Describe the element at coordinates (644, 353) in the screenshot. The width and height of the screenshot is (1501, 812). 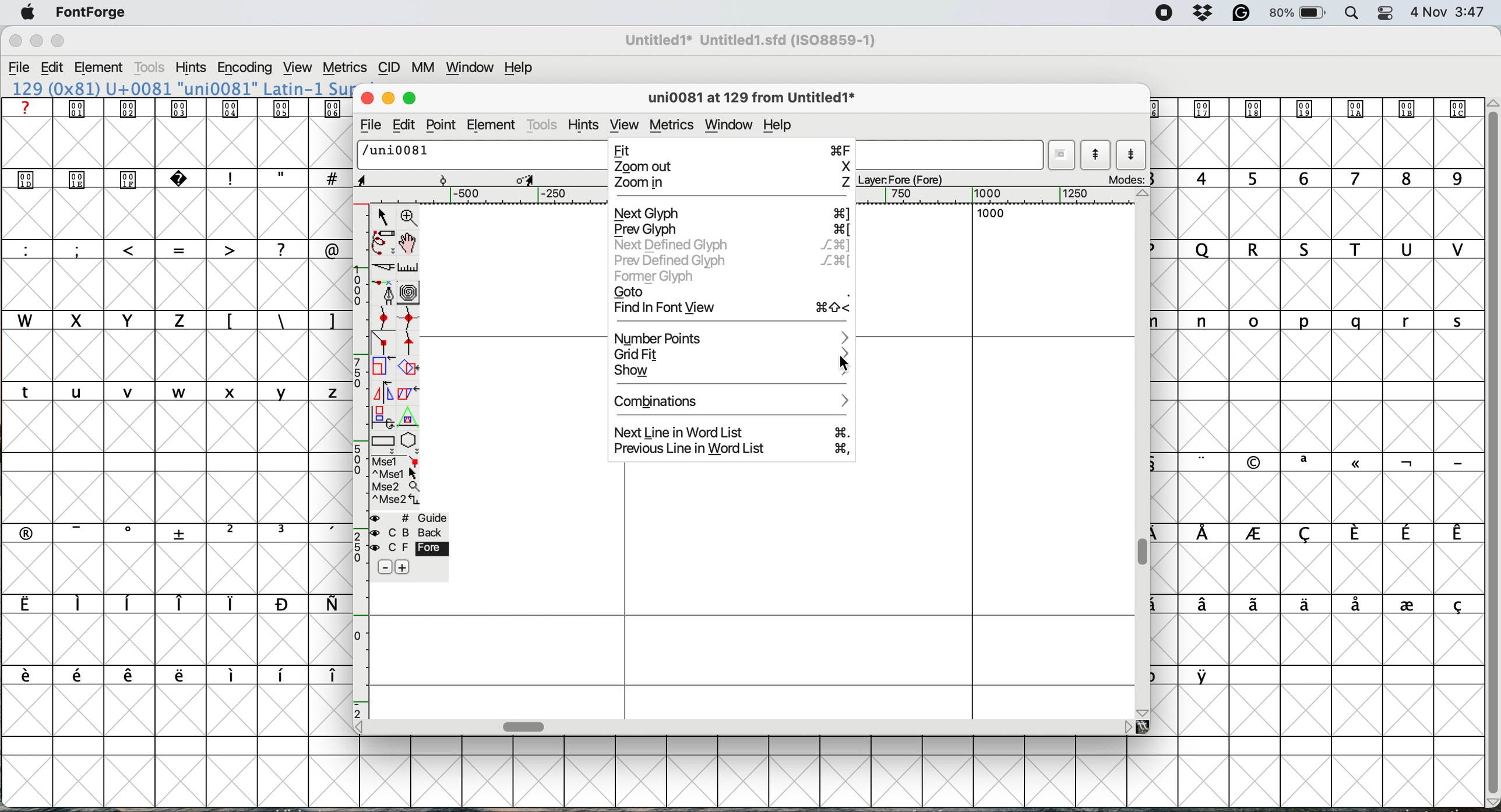
I see `grid fit` at that location.